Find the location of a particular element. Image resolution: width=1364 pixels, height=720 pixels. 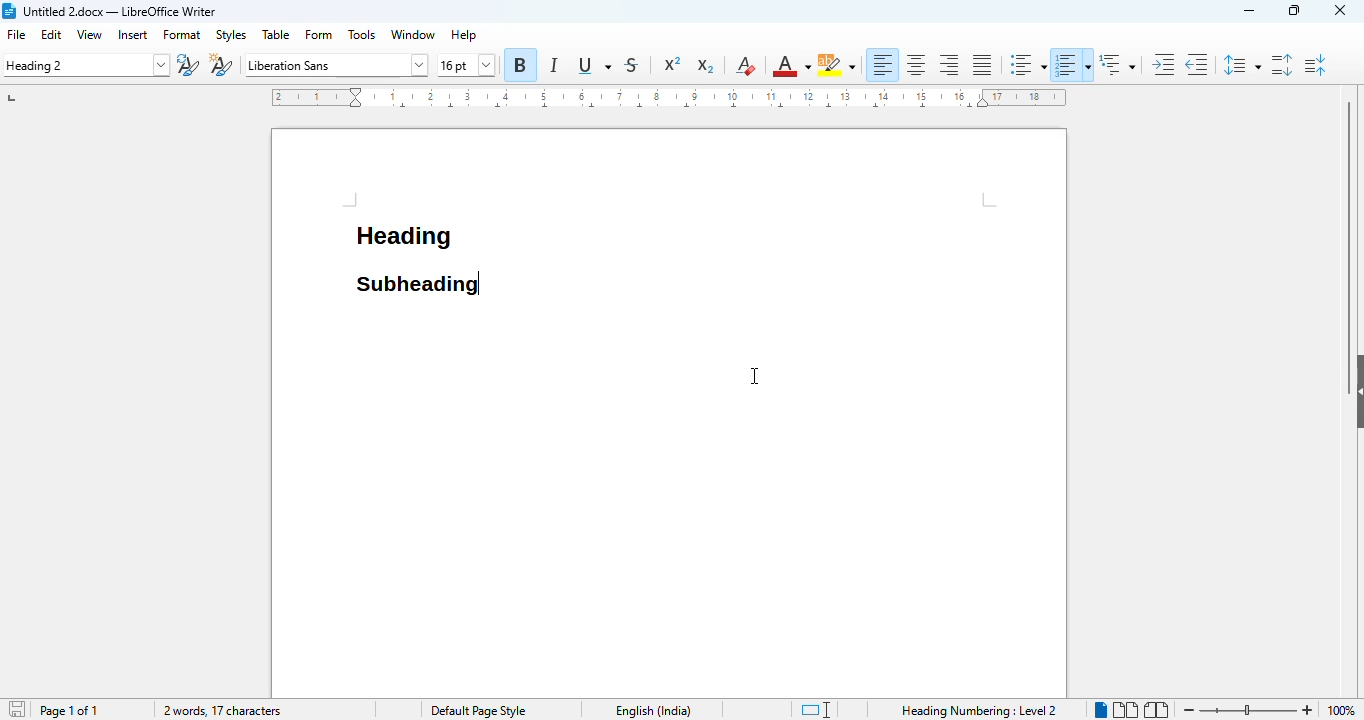

insert is located at coordinates (133, 35).